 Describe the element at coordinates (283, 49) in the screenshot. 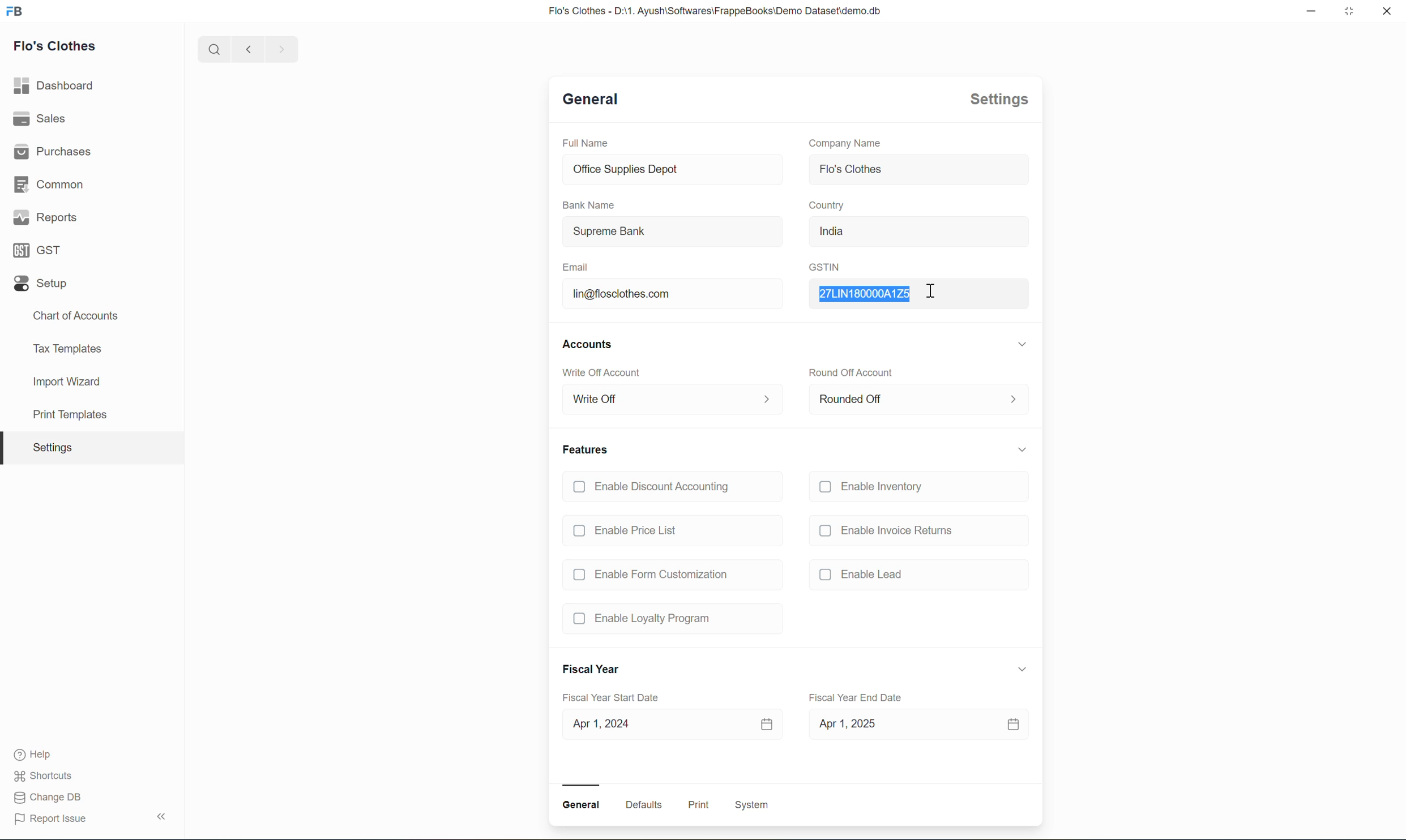

I see `forward` at that location.